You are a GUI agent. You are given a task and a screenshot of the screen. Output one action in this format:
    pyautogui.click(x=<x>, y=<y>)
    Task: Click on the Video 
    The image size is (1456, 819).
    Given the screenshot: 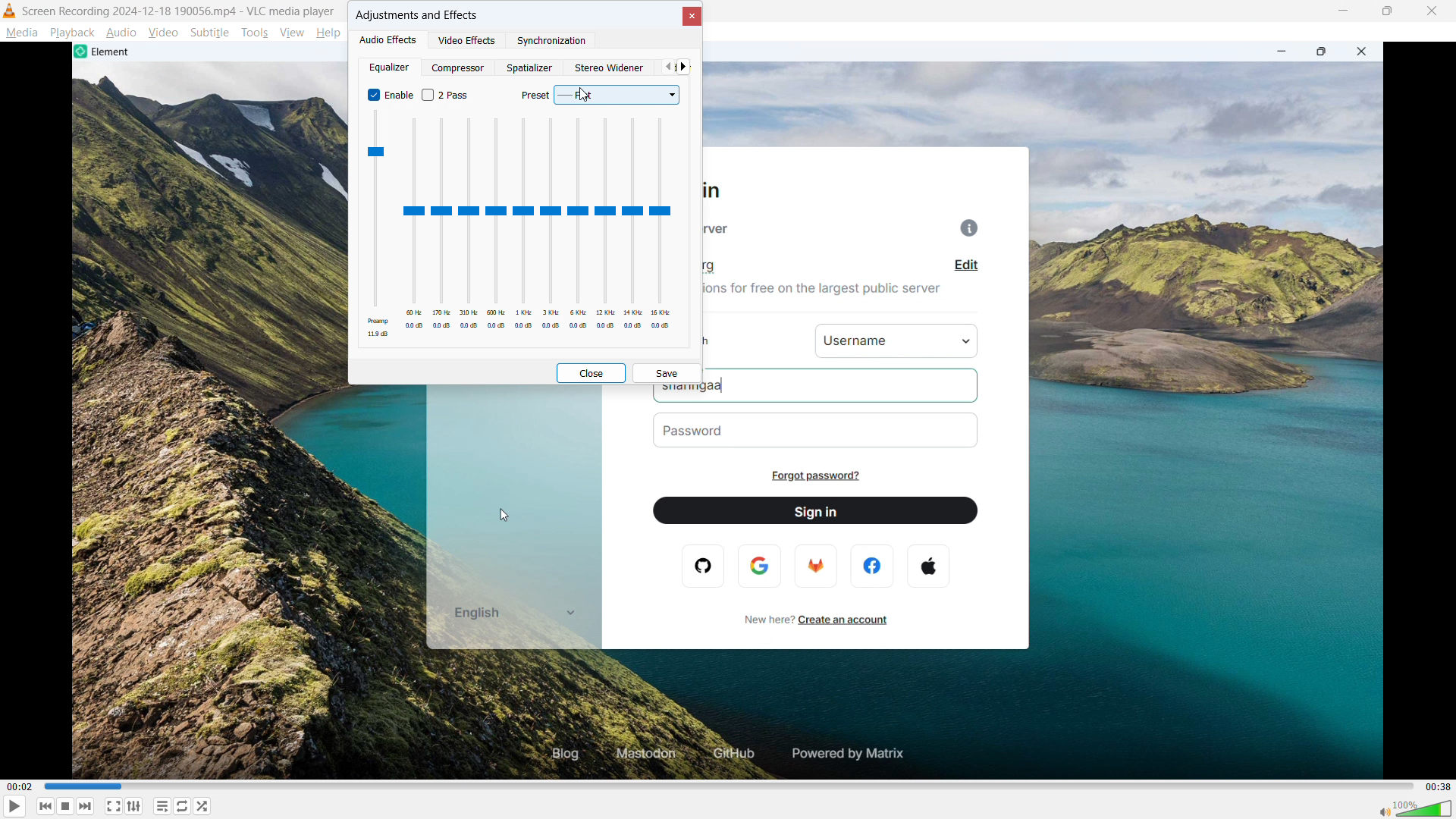 What is the action you would take?
    pyautogui.click(x=163, y=32)
    